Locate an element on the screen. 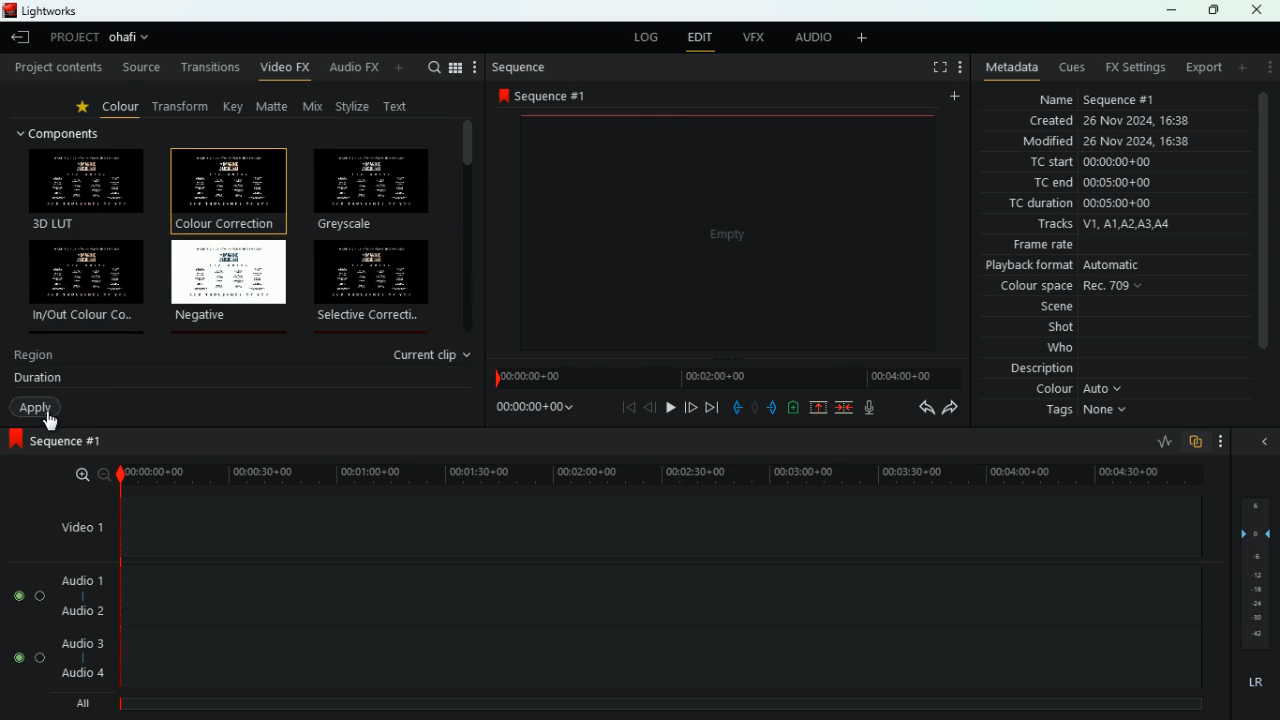 This screenshot has height=720, width=1280. advance is located at coordinates (688, 406).